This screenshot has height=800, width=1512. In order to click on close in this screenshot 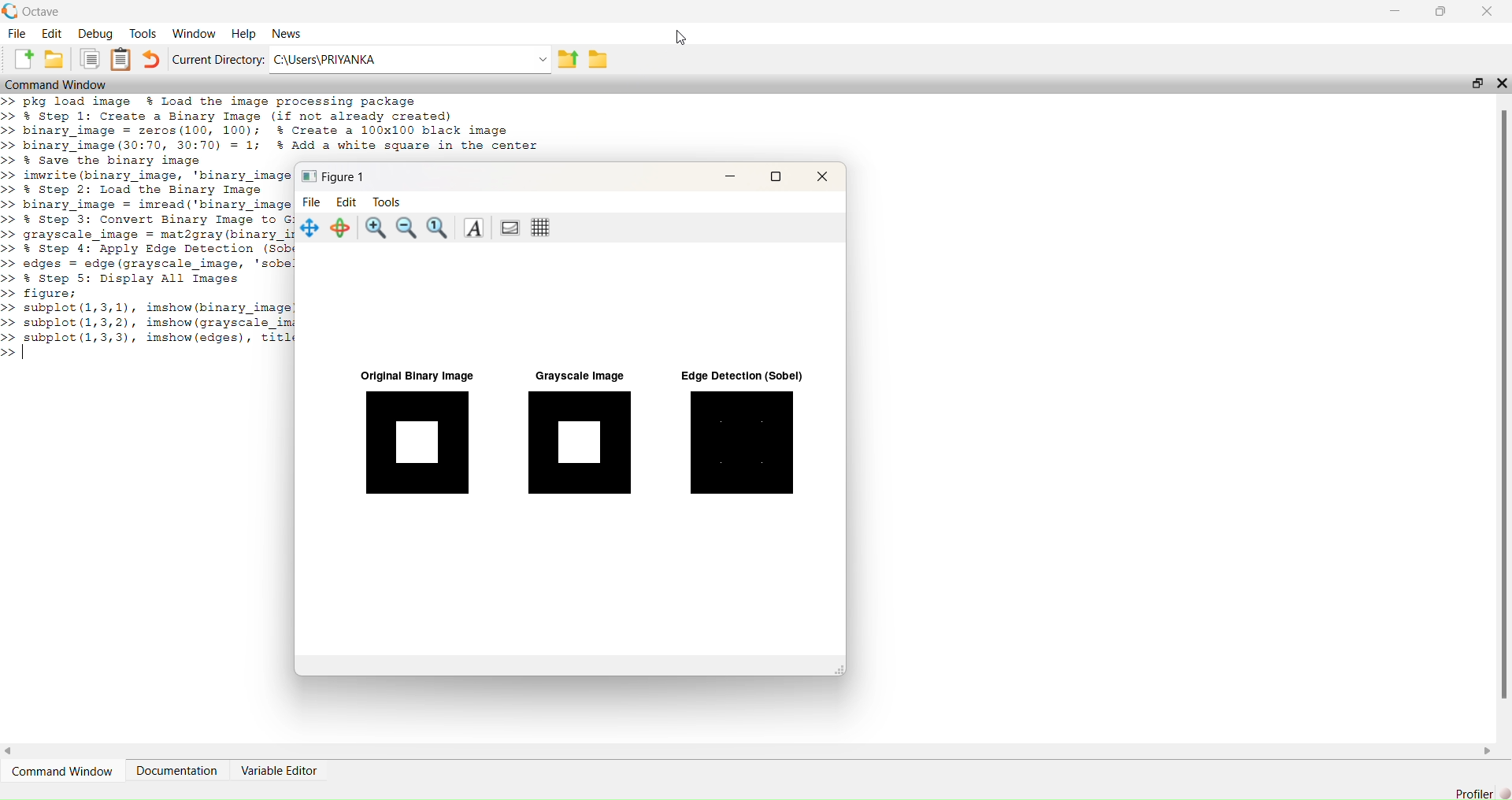, I will do `click(1488, 9)`.